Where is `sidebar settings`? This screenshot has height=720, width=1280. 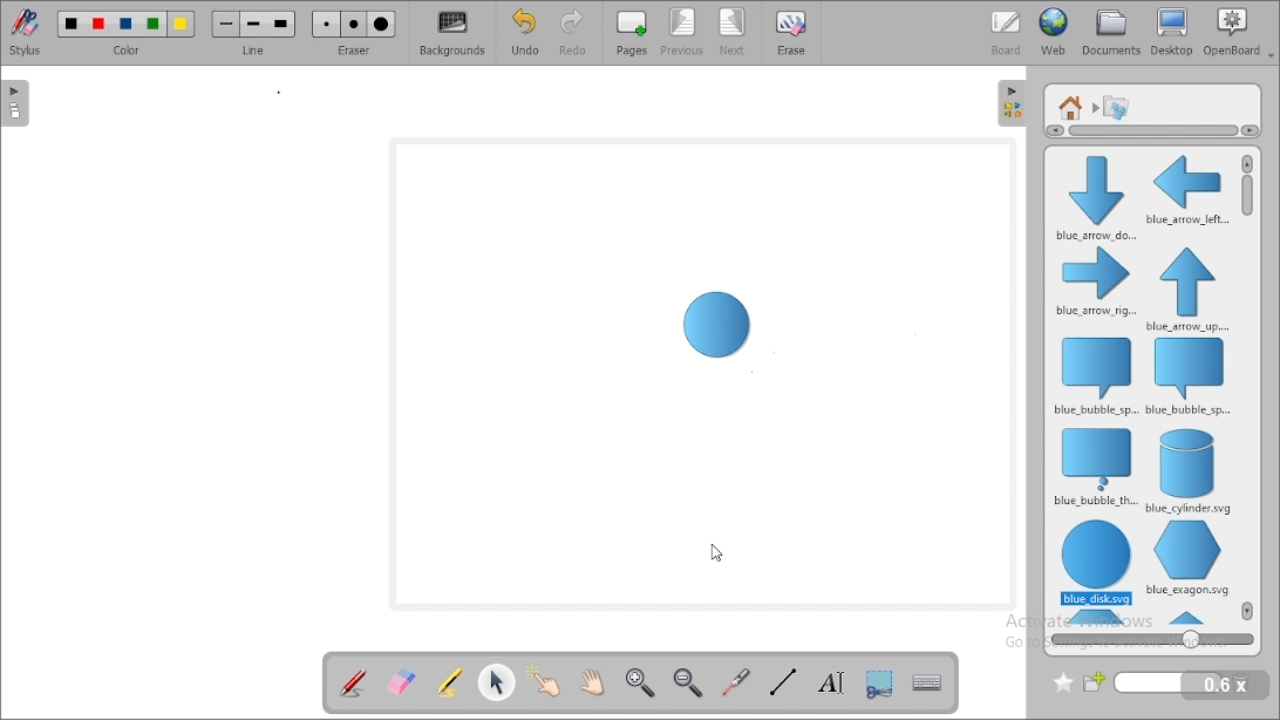 sidebar settings is located at coordinates (1012, 104).